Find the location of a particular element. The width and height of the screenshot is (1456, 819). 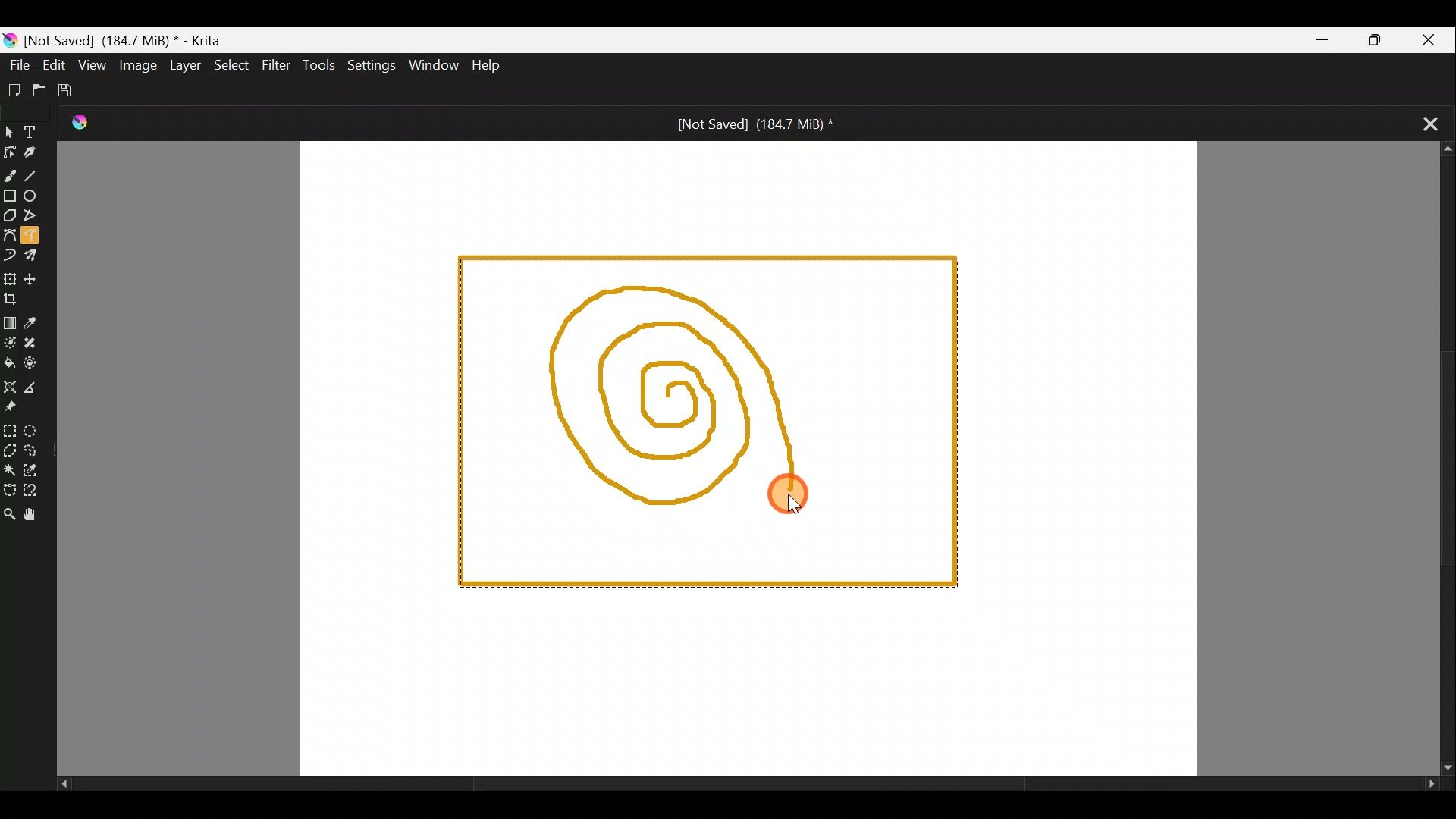

Settings is located at coordinates (370, 64).